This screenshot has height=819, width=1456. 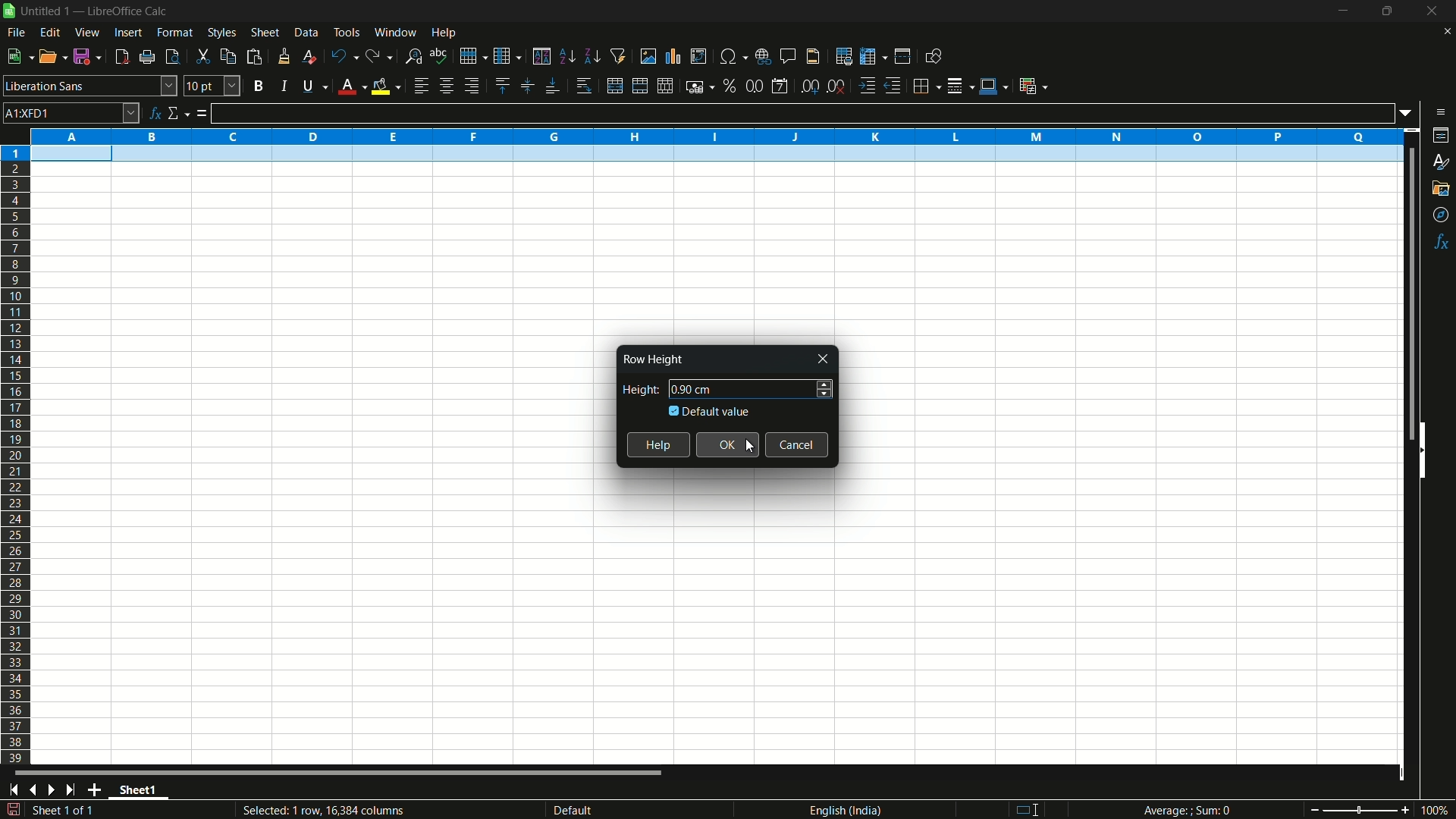 I want to click on decrease indentation, so click(x=894, y=86).